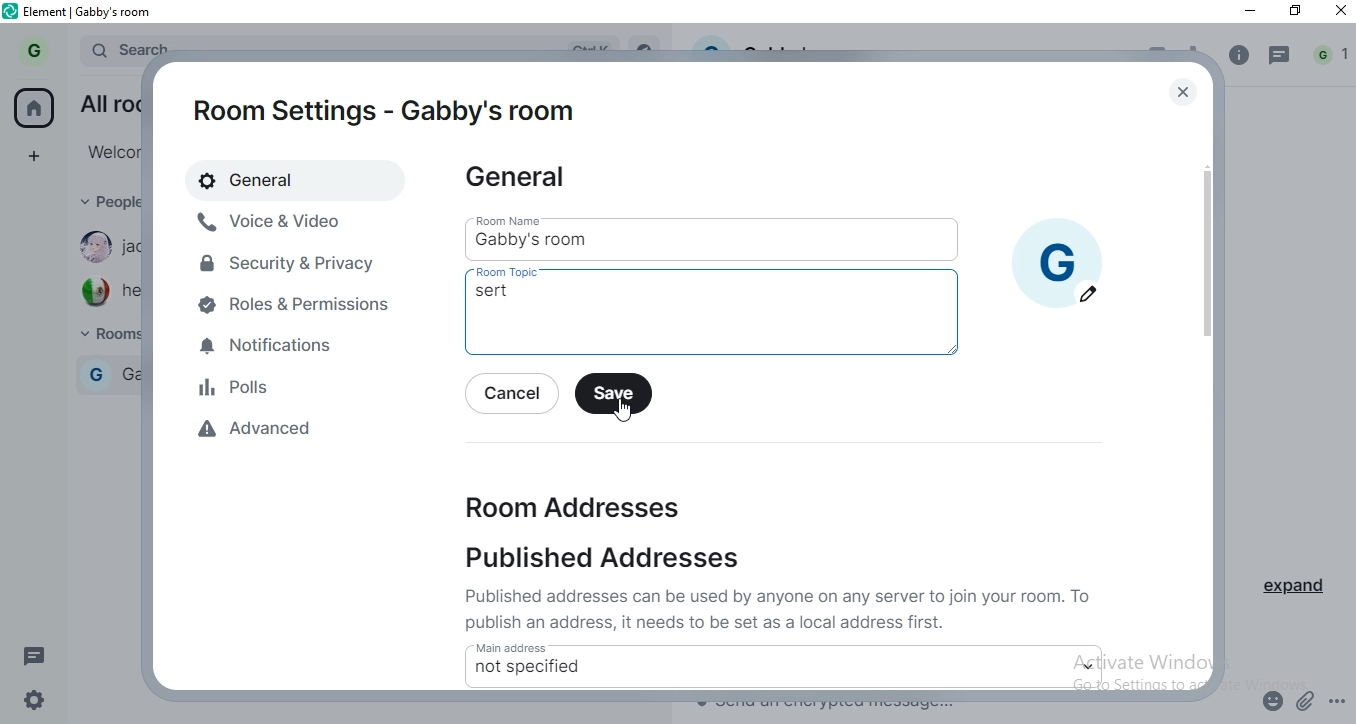 This screenshot has height=724, width=1356. Describe the element at coordinates (621, 646) in the screenshot. I see `main address` at that location.